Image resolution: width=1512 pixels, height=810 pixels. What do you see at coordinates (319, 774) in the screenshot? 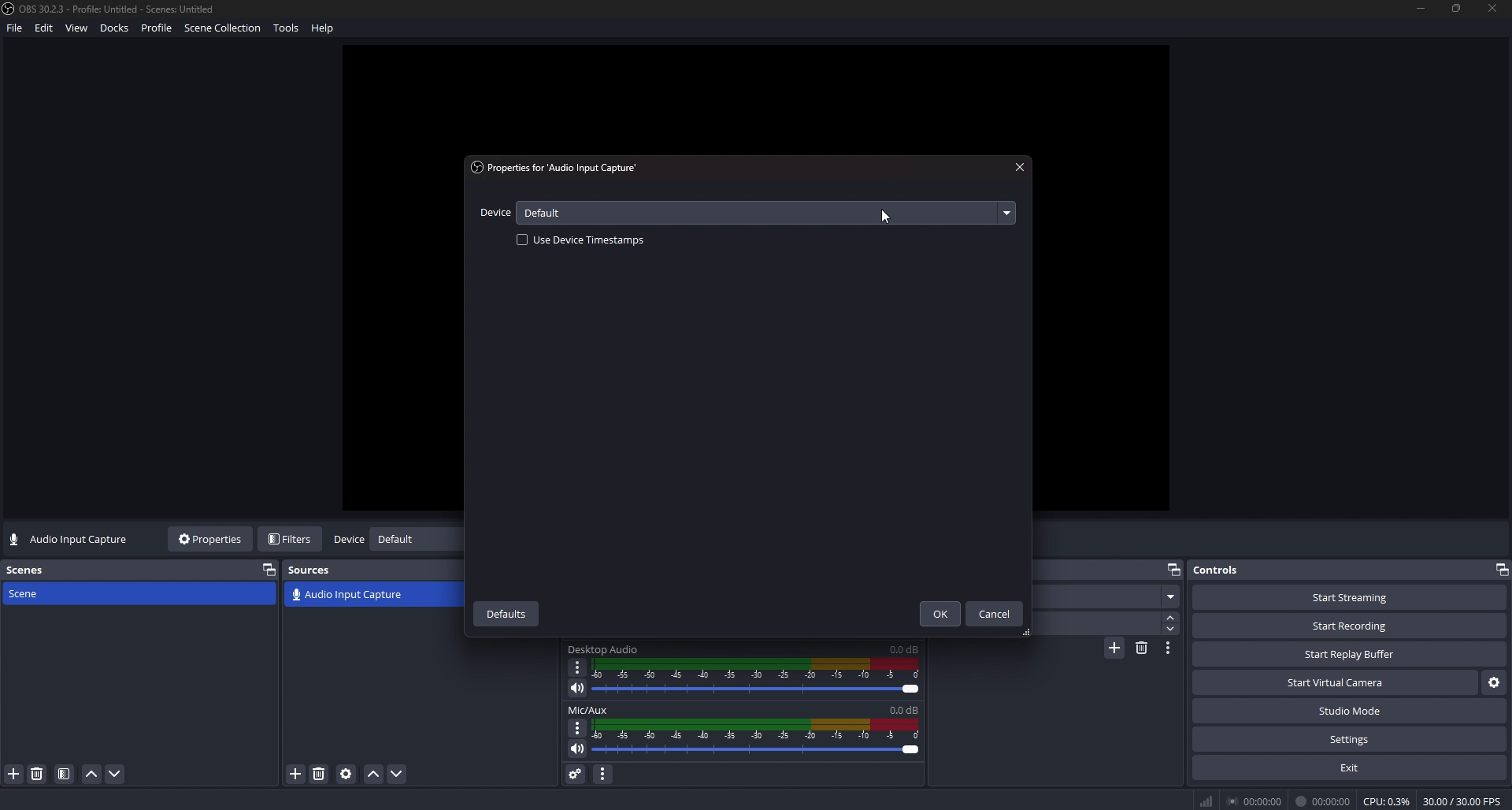
I see `remove source` at bounding box center [319, 774].